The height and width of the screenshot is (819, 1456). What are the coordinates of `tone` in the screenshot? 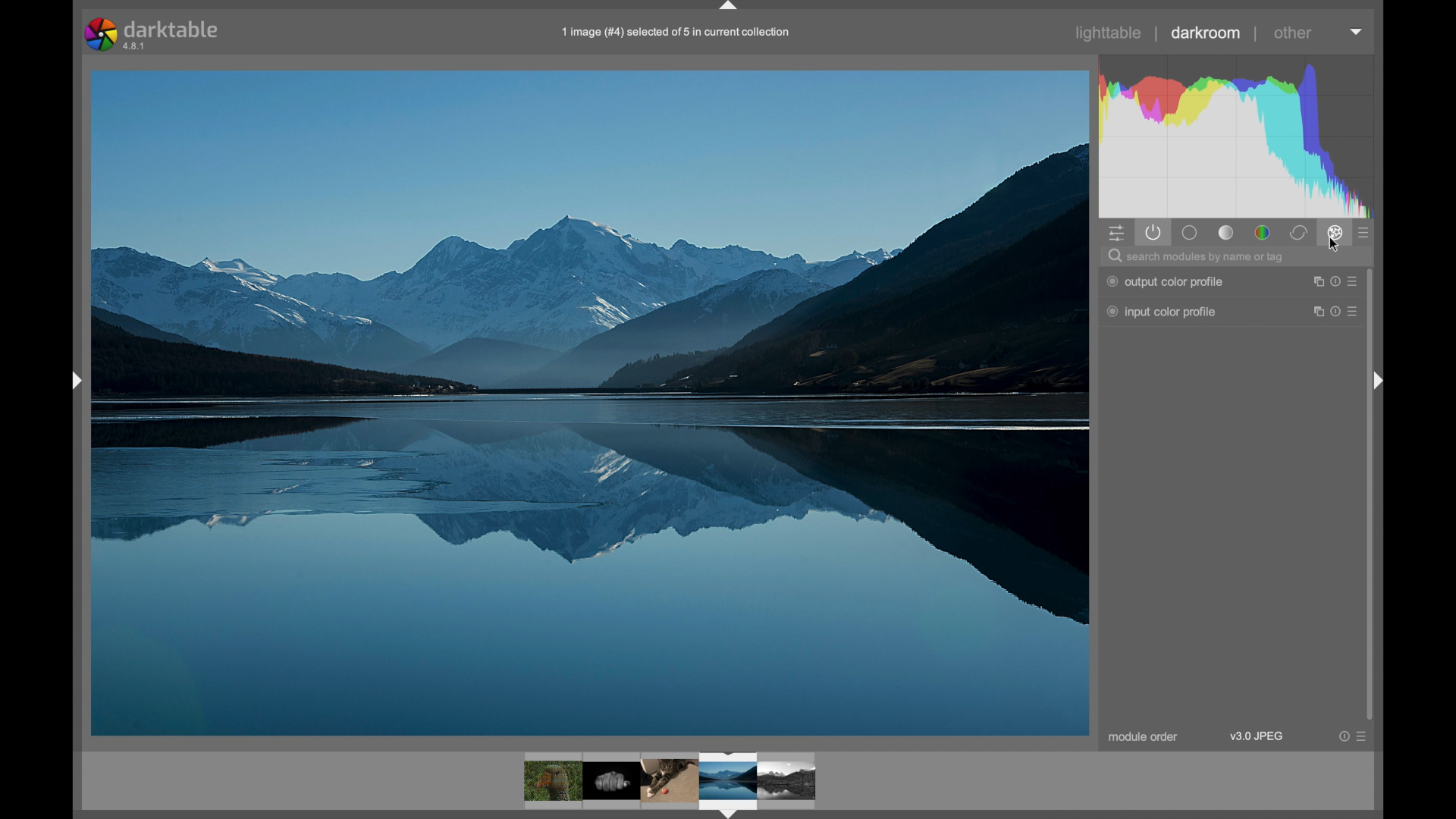 It's located at (1188, 233).